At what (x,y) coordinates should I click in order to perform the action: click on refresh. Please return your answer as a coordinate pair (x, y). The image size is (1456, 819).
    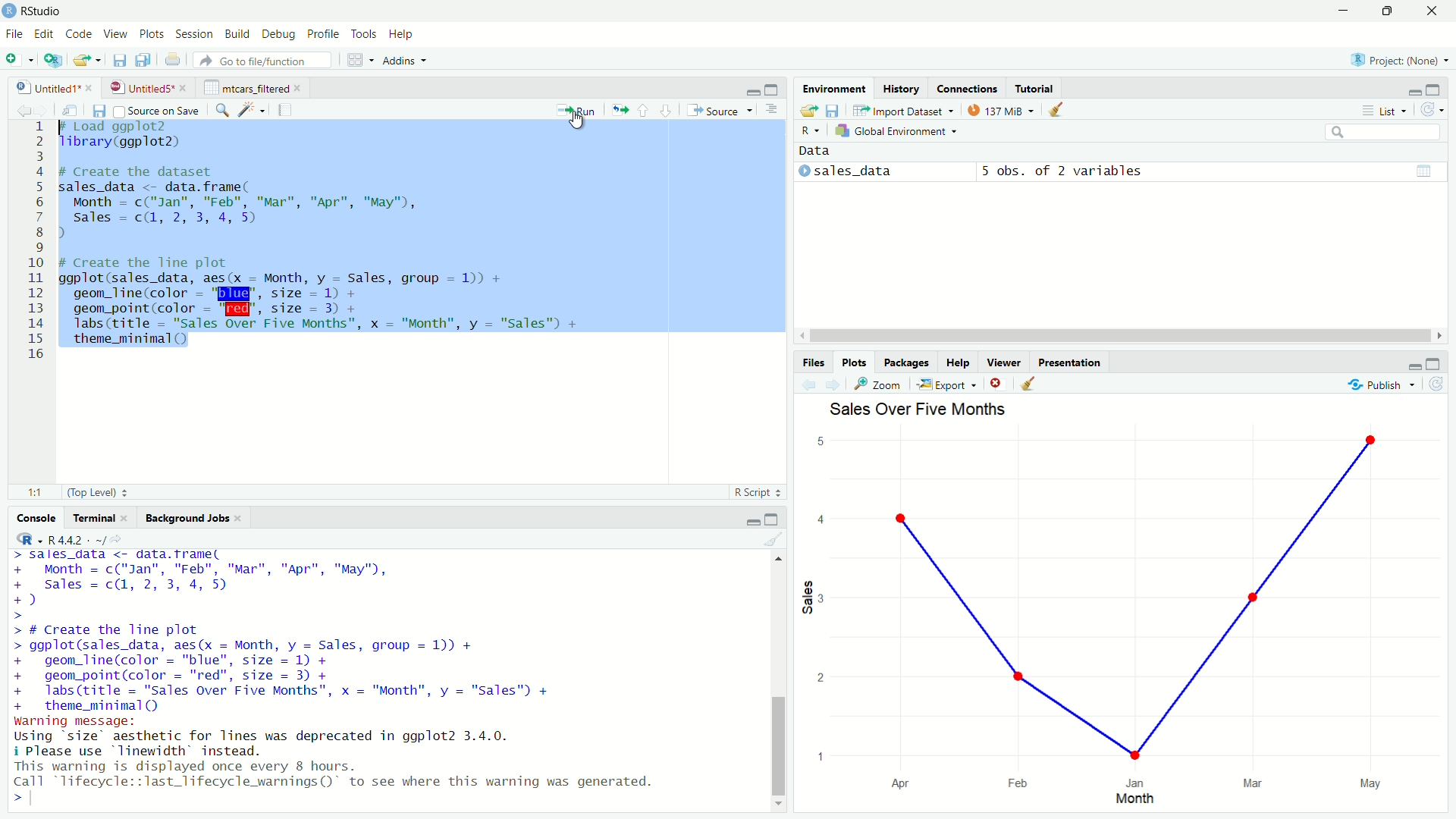
    Looking at the image, I should click on (1435, 109).